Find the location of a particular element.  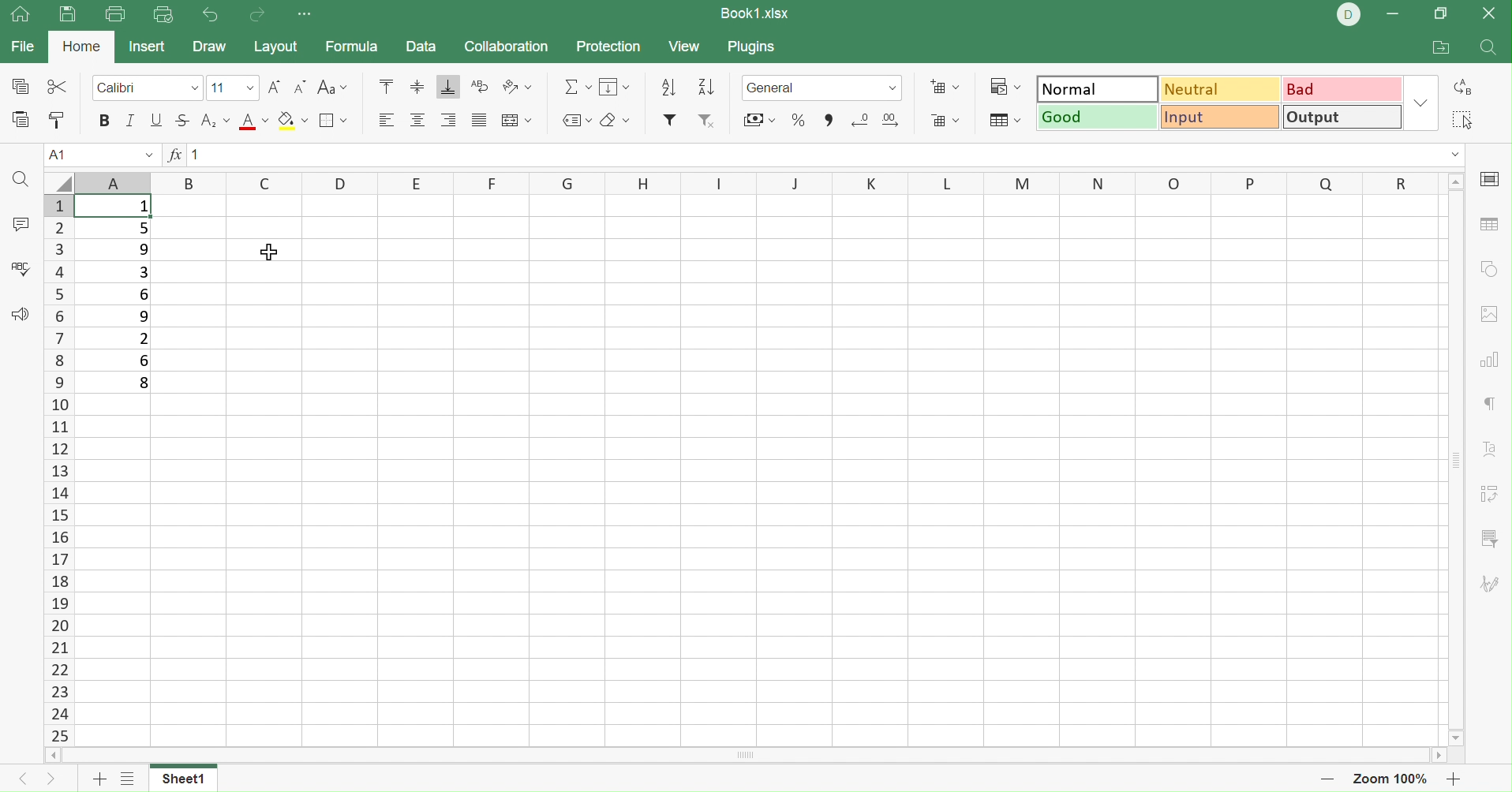

Fill color is located at coordinates (291, 119).